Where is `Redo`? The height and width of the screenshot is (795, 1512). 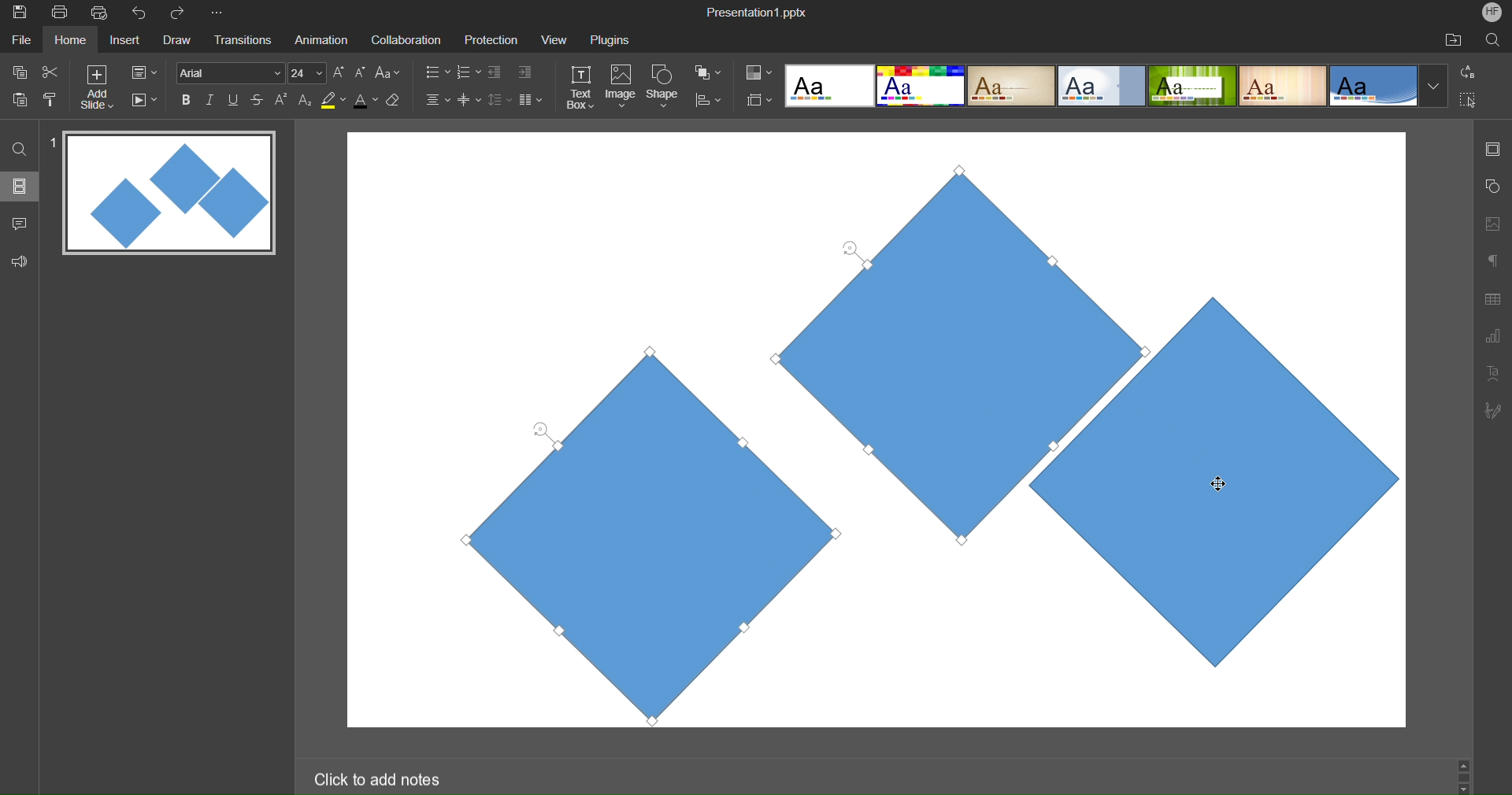
Redo is located at coordinates (183, 13).